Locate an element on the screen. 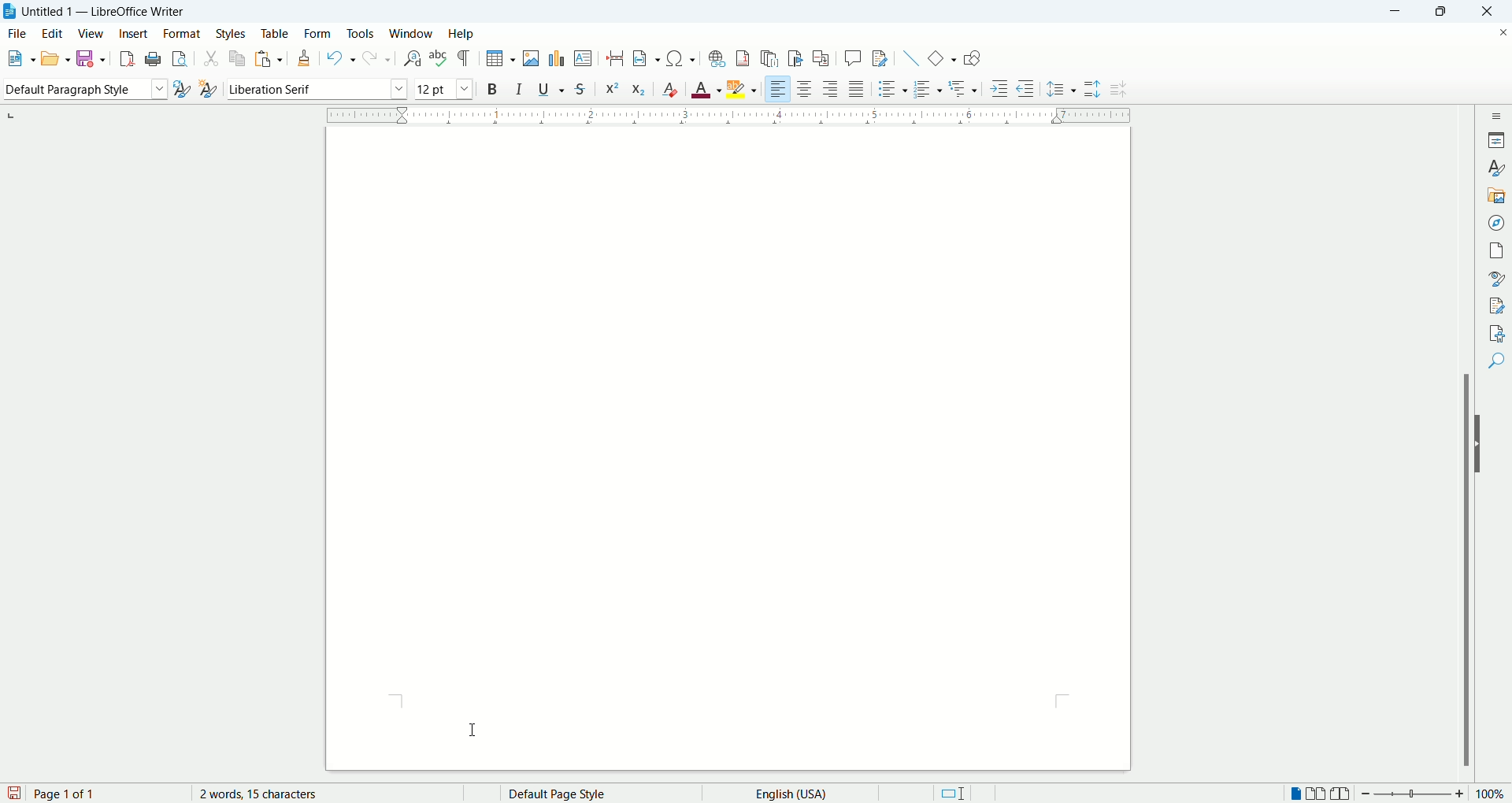 The width and height of the screenshot is (1512, 803). close is located at coordinates (1492, 11).